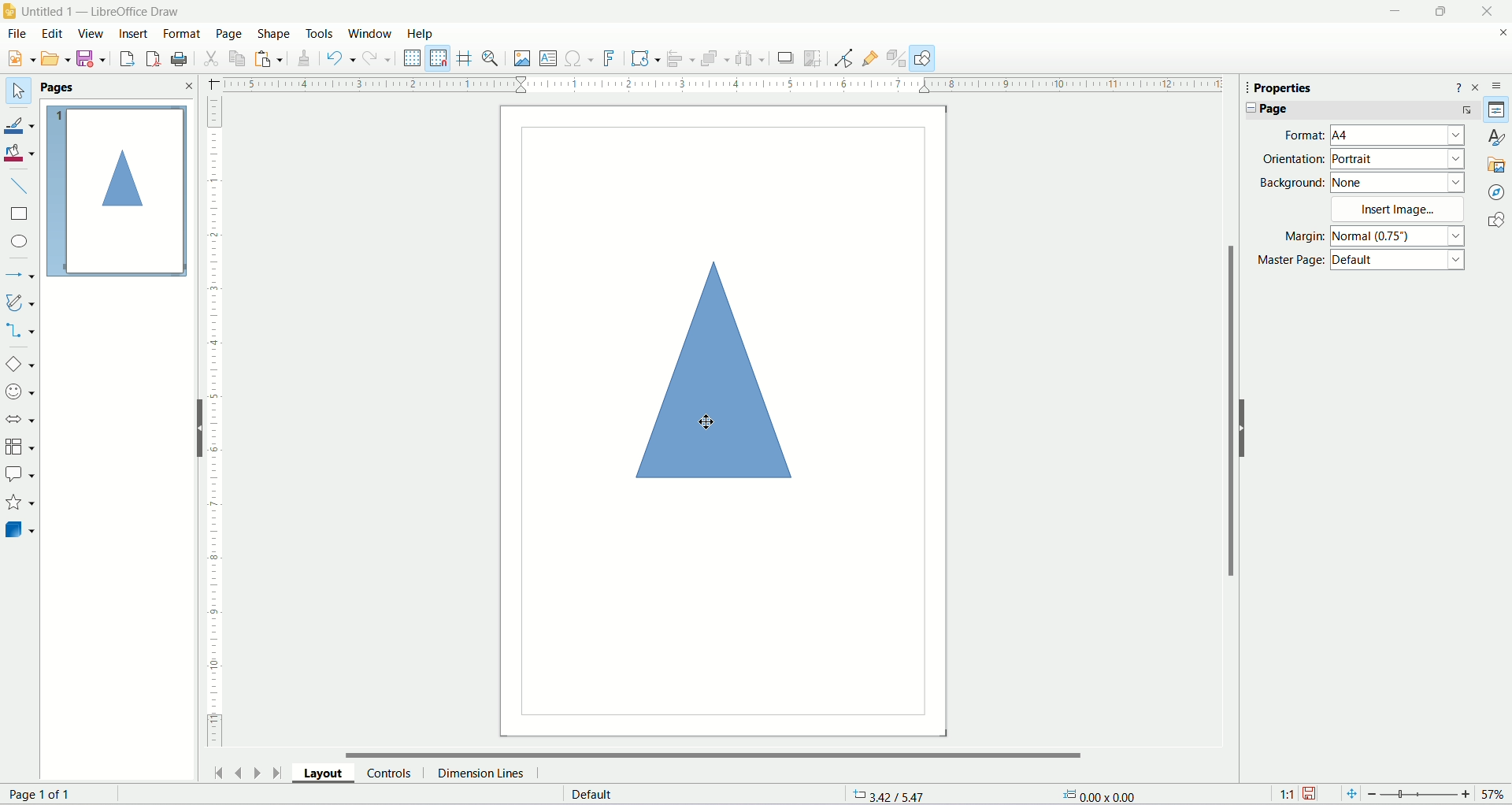 This screenshot has height=805, width=1512. What do you see at coordinates (1480, 86) in the screenshot?
I see `Close sidebar` at bounding box center [1480, 86].